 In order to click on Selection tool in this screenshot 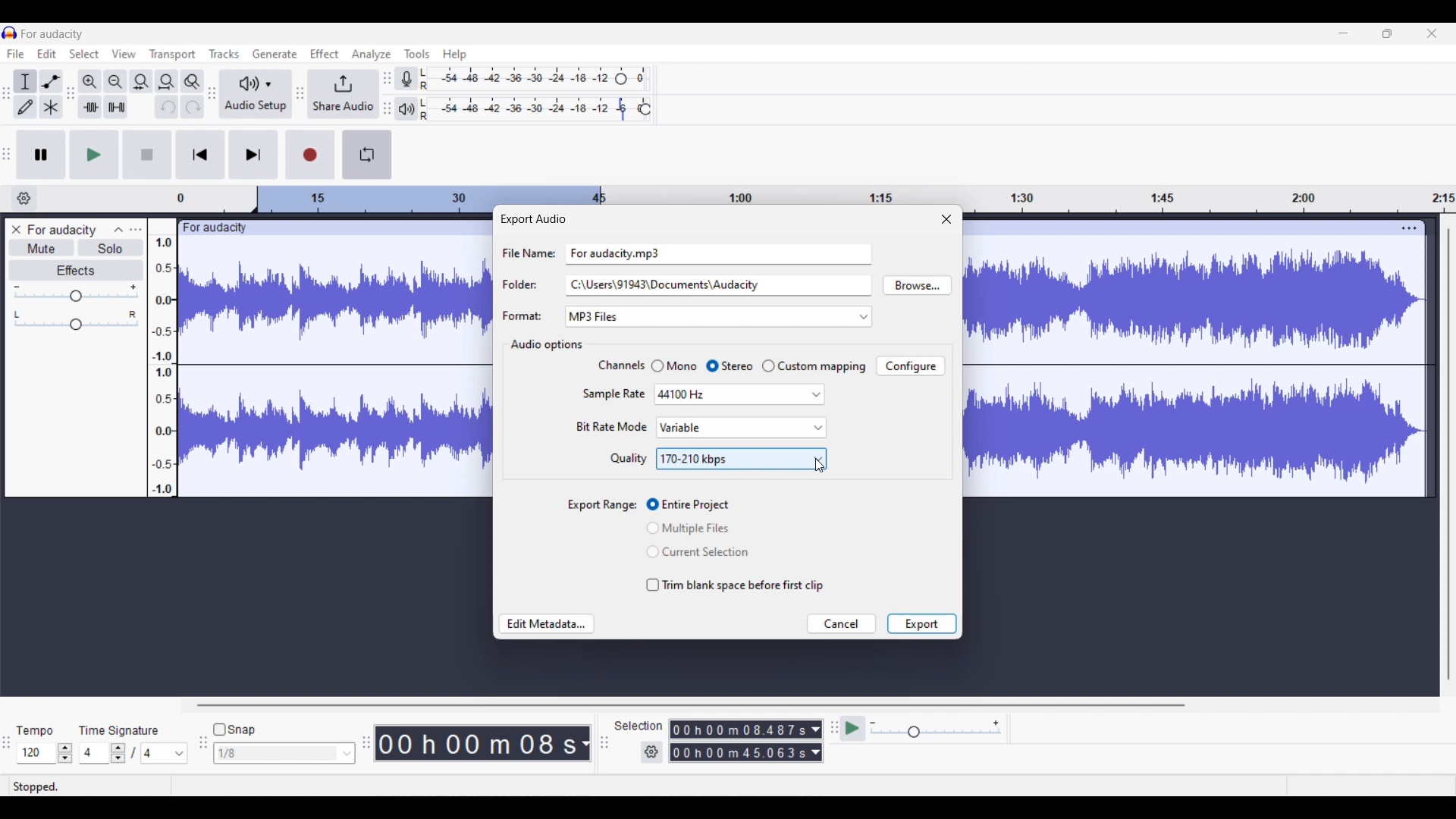, I will do `click(24, 83)`.